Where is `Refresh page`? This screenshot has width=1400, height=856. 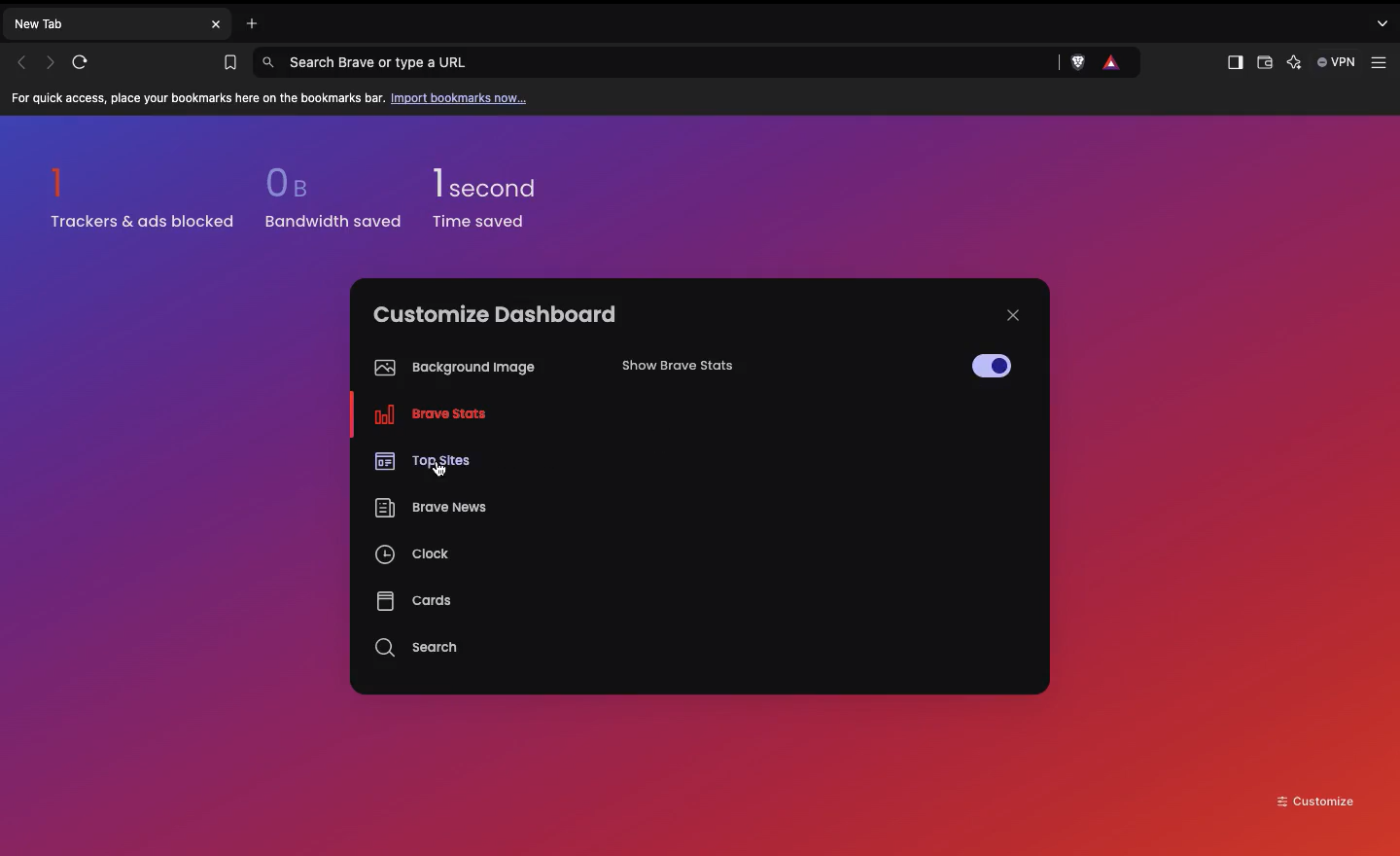
Refresh page is located at coordinates (87, 62).